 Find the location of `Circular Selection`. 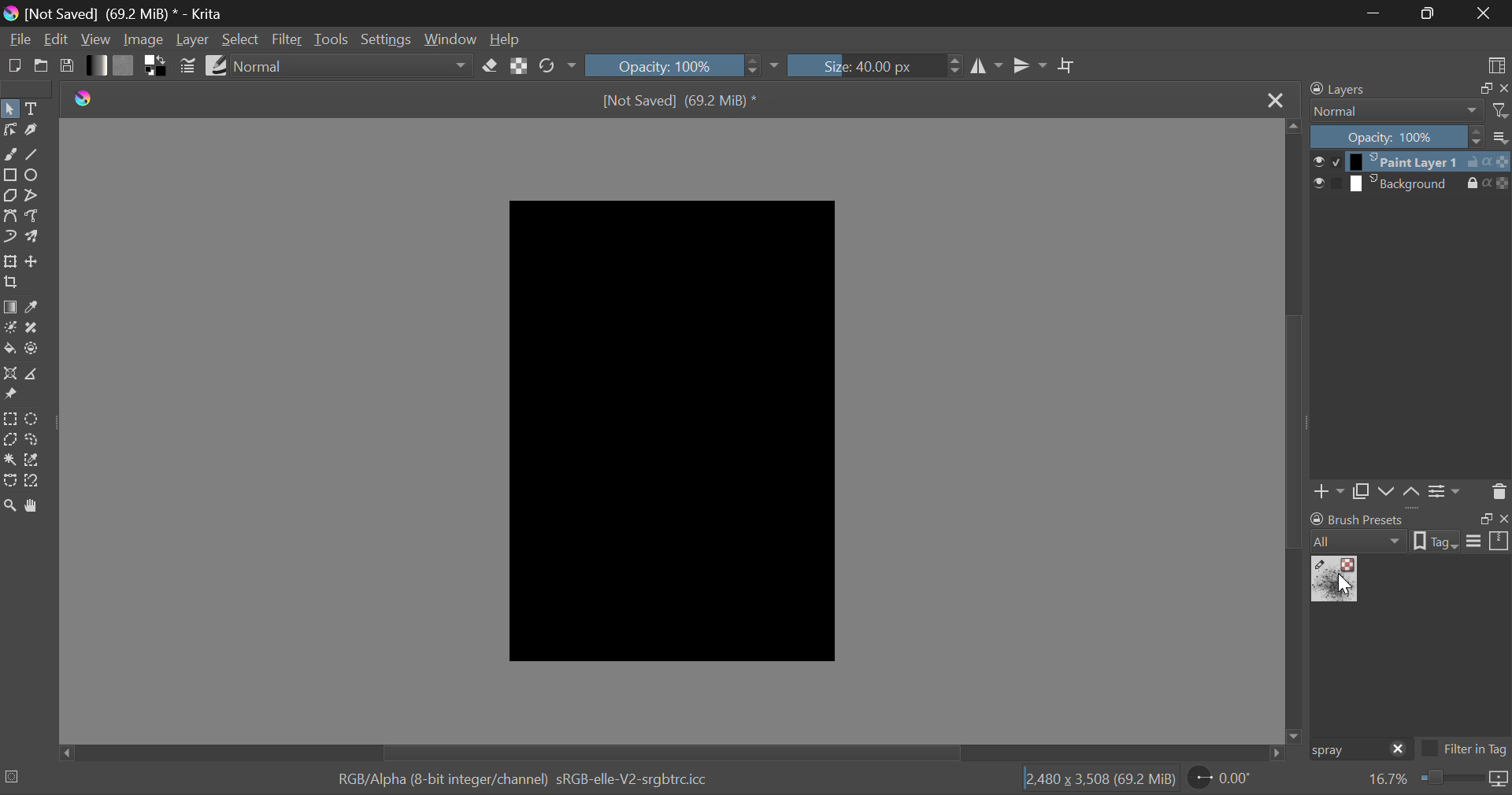

Circular Selection is located at coordinates (32, 419).